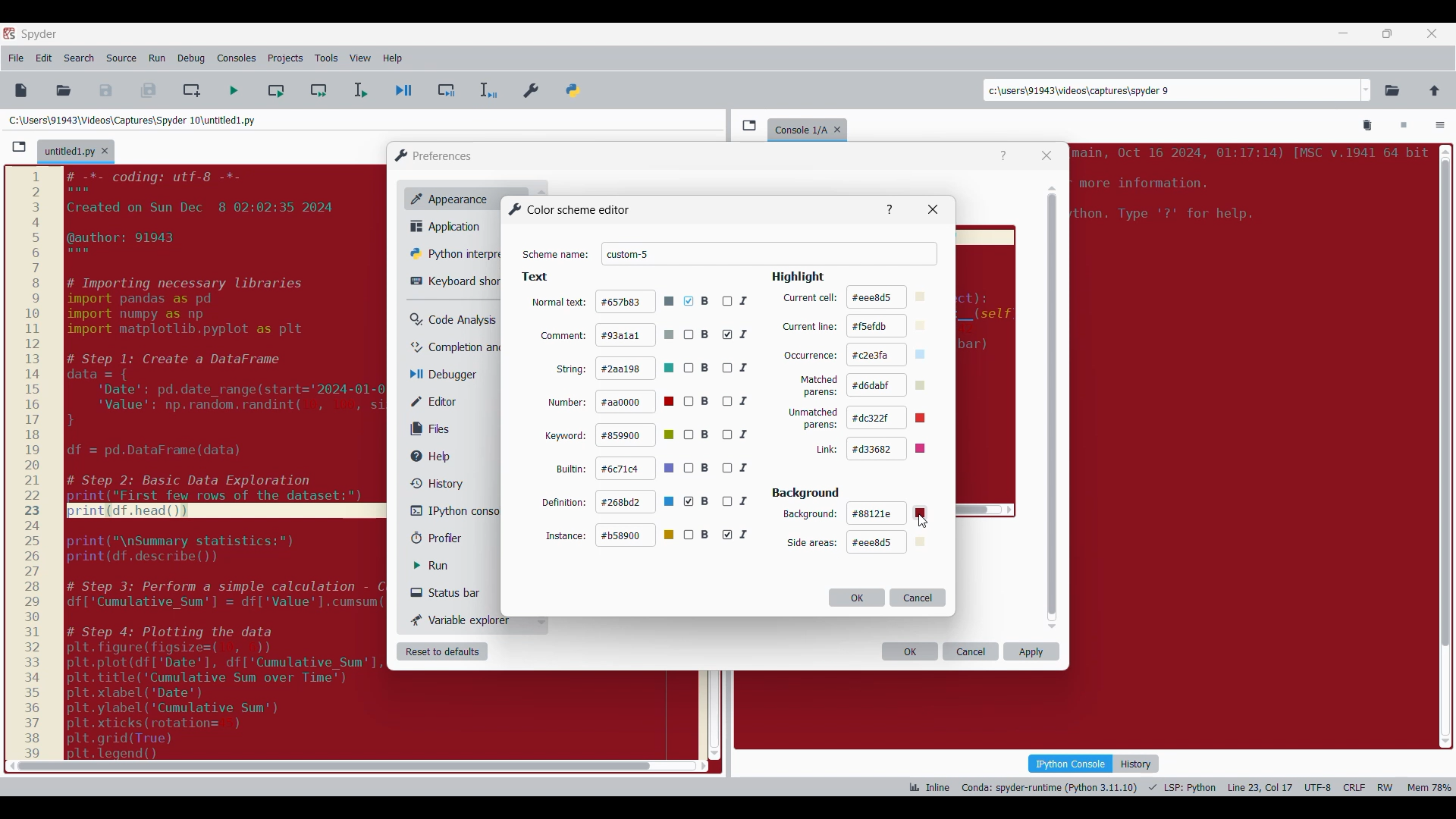  What do you see at coordinates (32, 463) in the screenshot?
I see `scale` at bounding box center [32, 463].